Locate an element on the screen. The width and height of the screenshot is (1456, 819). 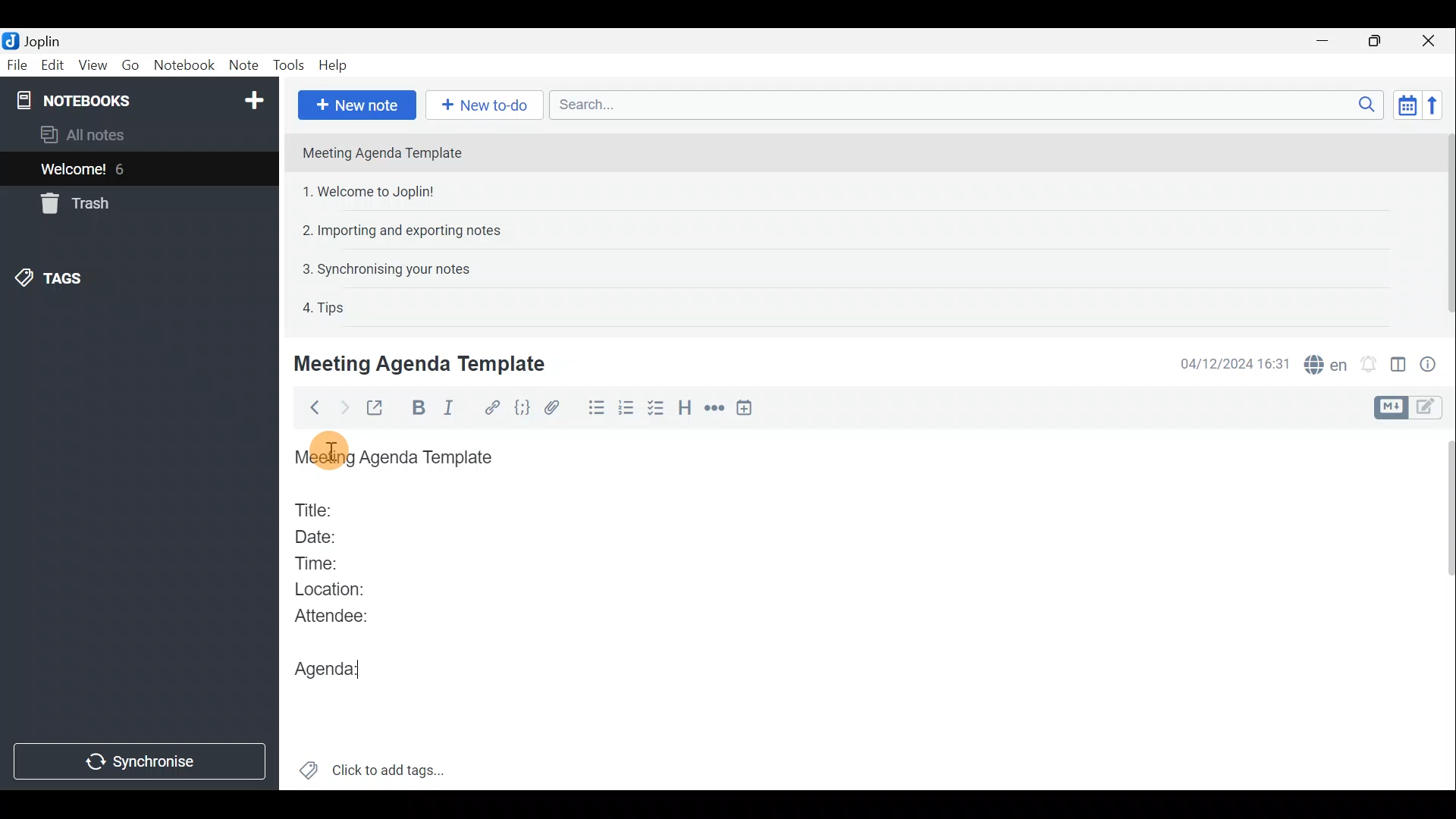
1. Welcome to Joplin! is located at coordinates (373, 191).